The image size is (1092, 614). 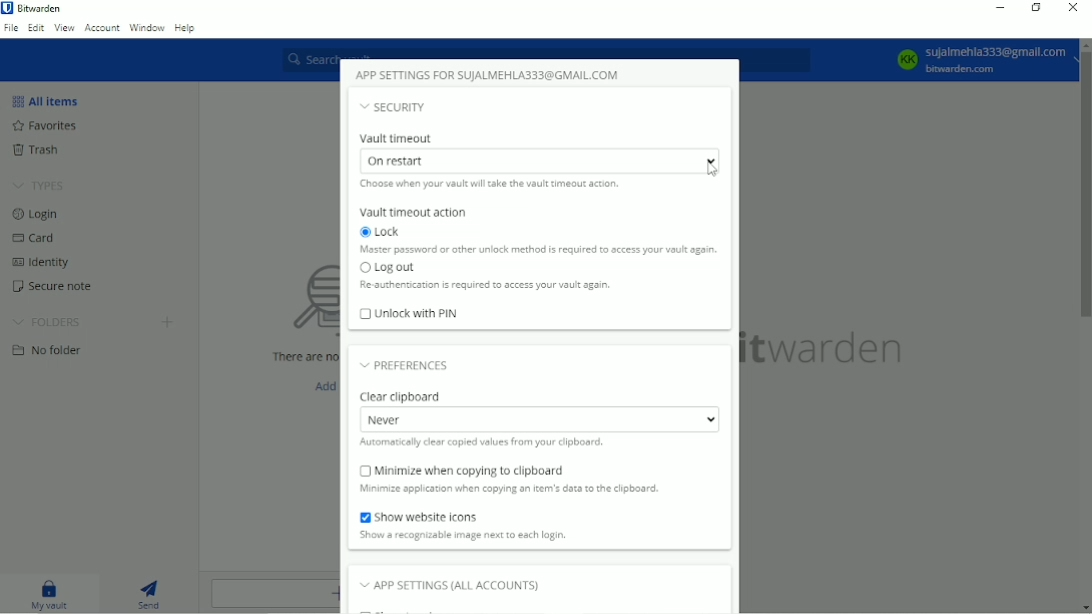 I want to click on App settings (all accounts), so click(x=451, y=584).